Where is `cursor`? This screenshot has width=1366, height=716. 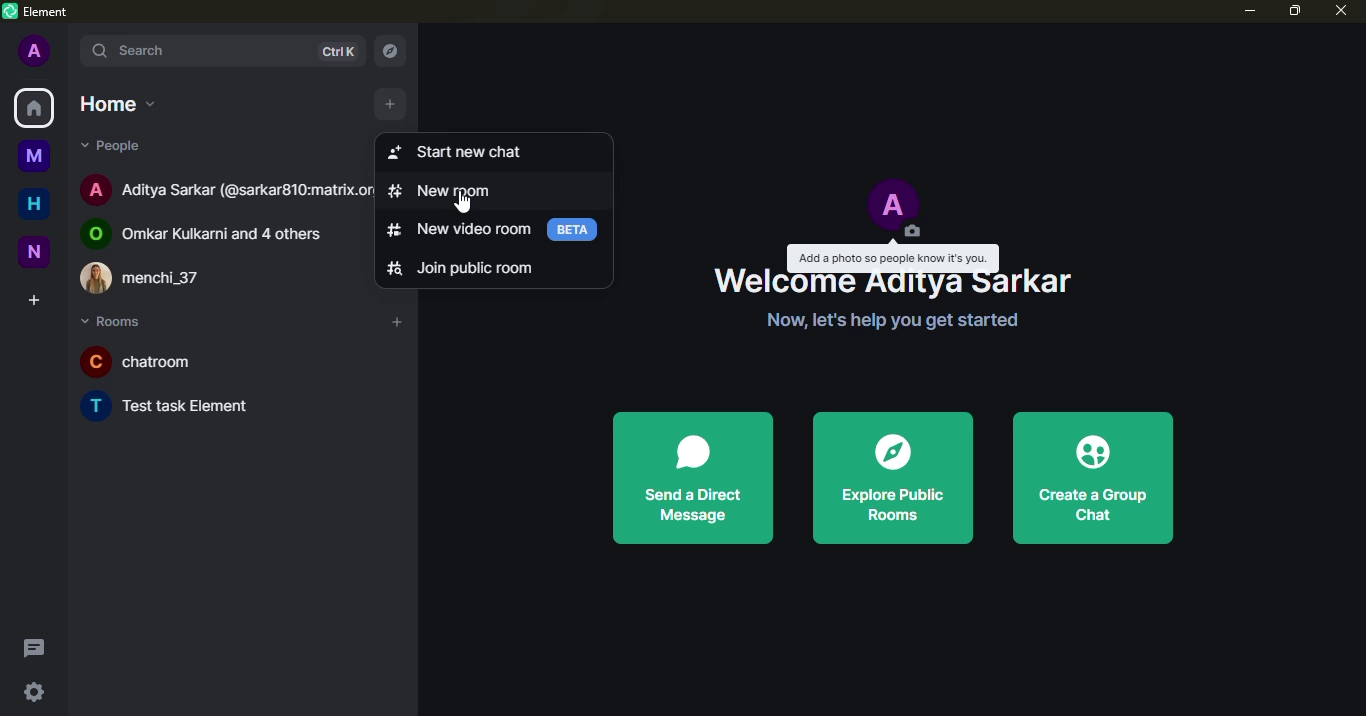 cursor is located at coordinates (462, 207).